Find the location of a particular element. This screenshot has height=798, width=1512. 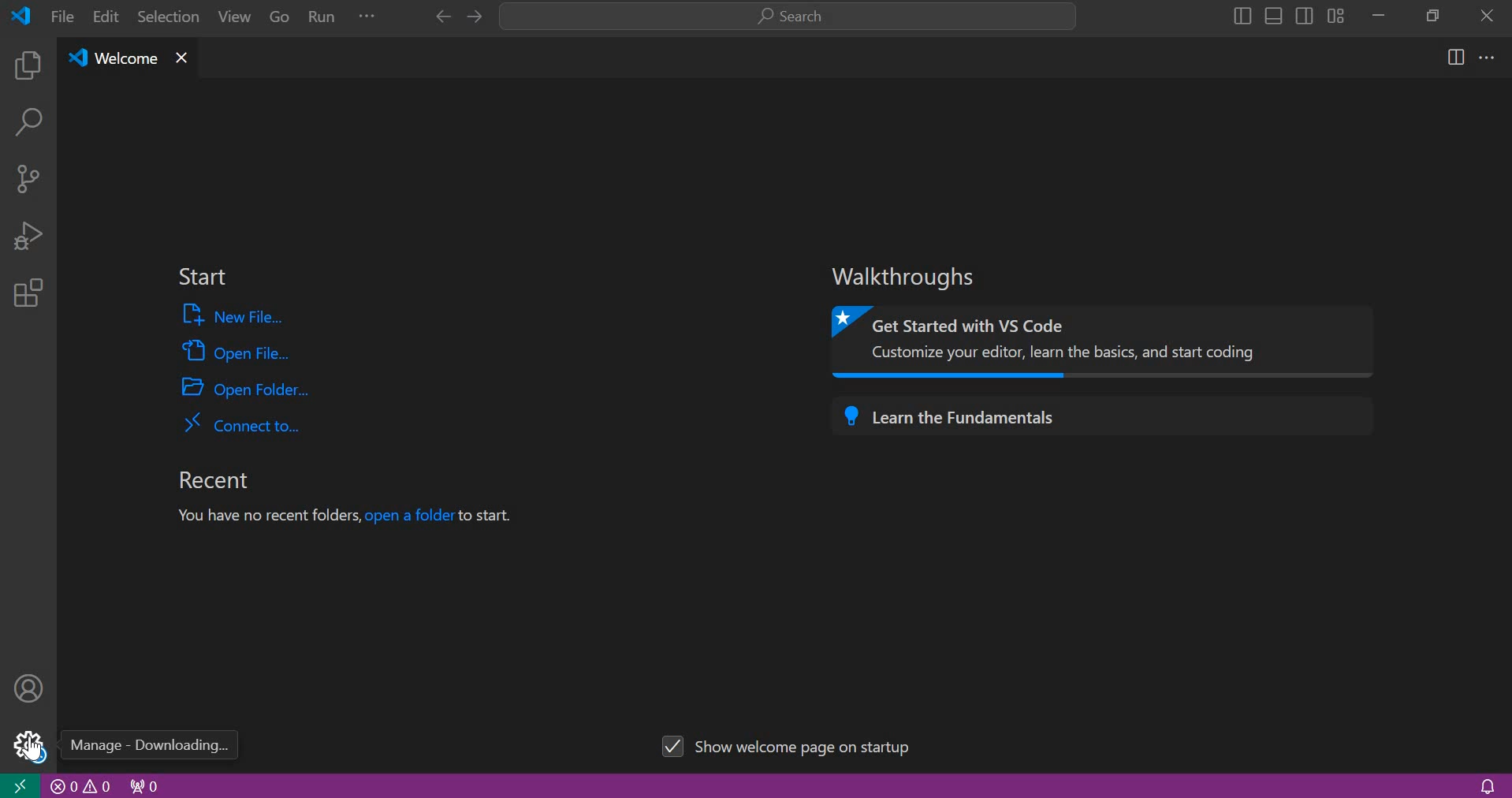

no ports forwarded is located at coordinates (145, 785).